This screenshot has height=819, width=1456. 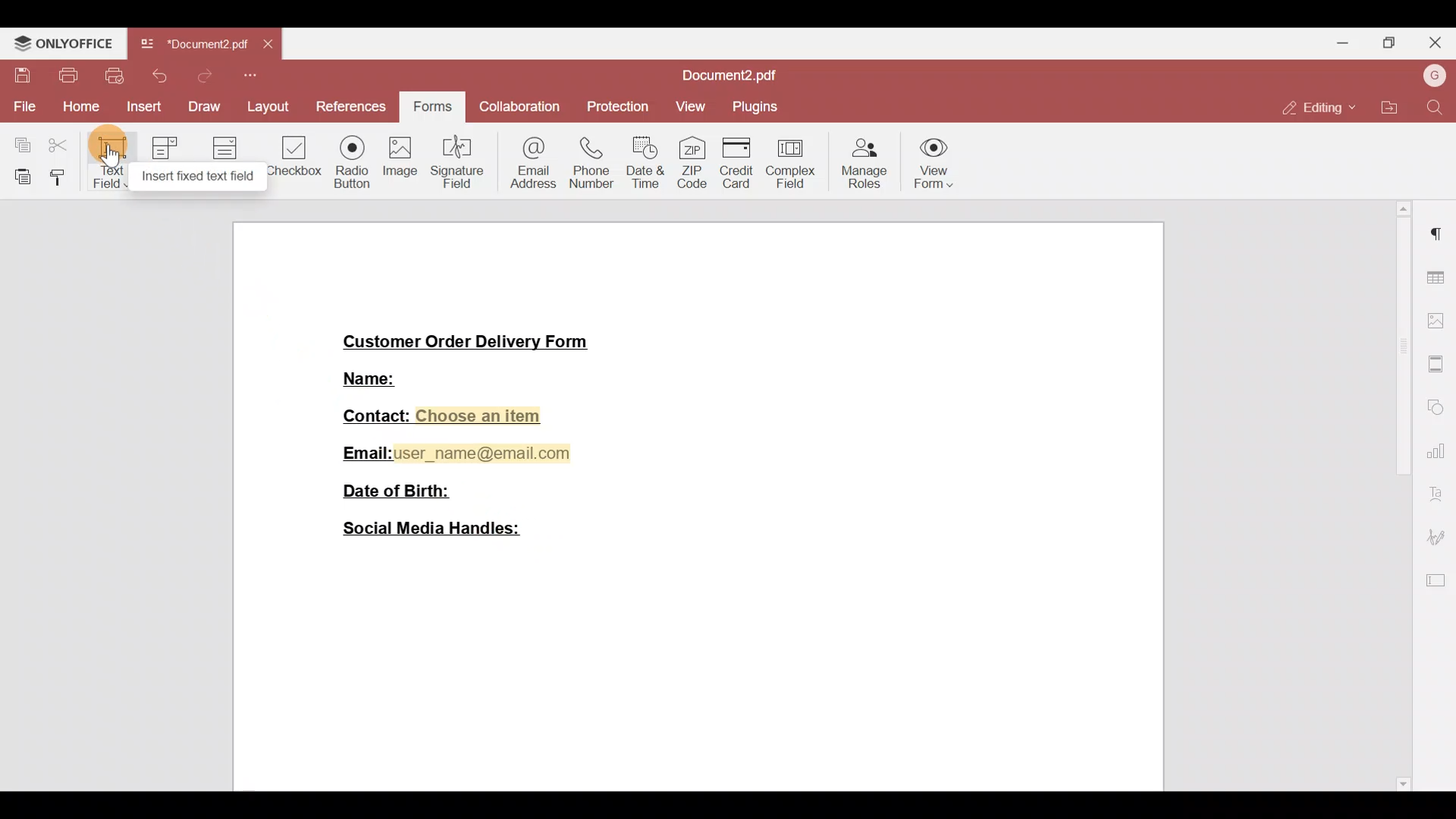 I want to click on Forms, so click(x=435, y=103).